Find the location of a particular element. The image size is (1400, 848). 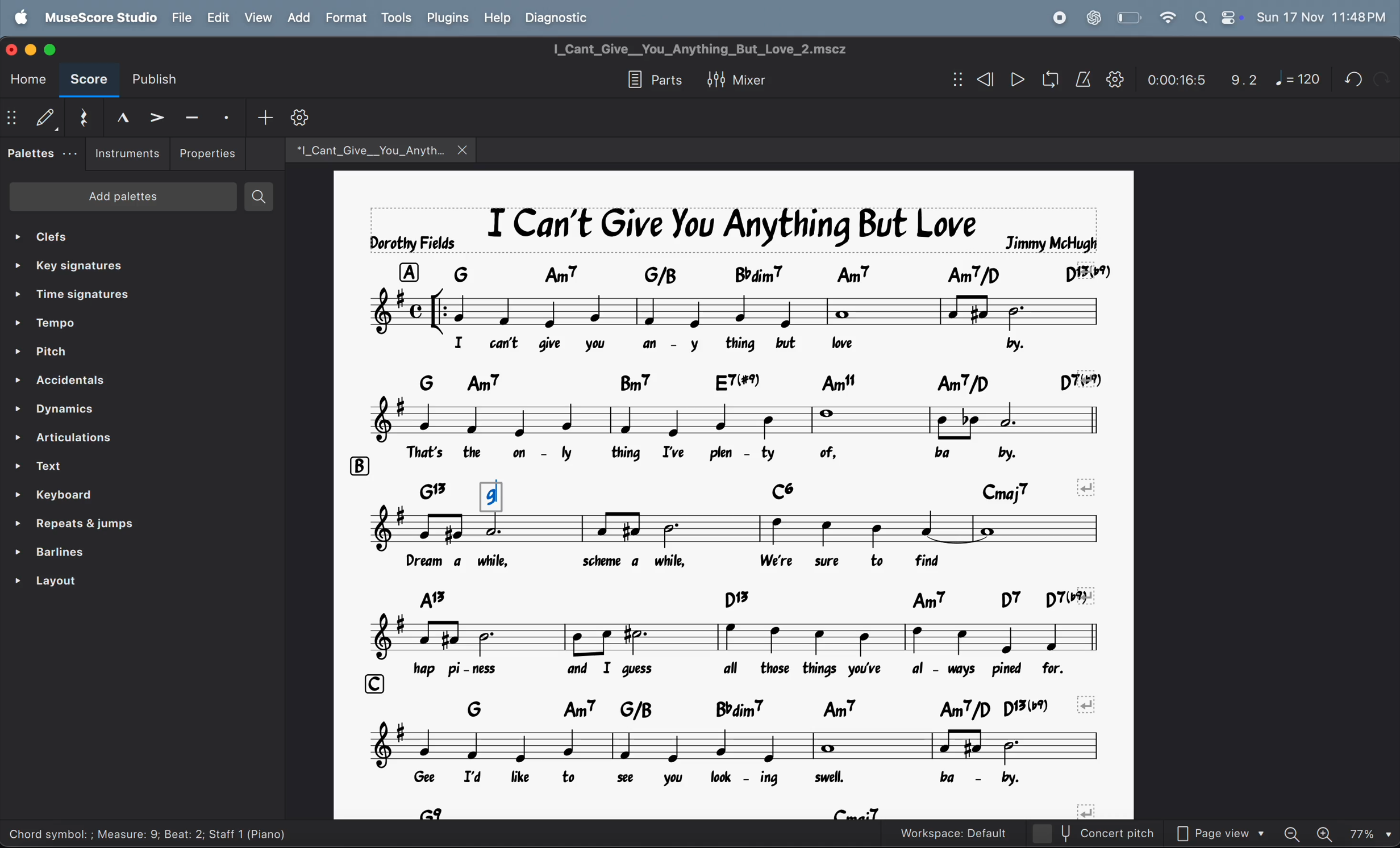

chord symblols is located at coordinates (721, 491).